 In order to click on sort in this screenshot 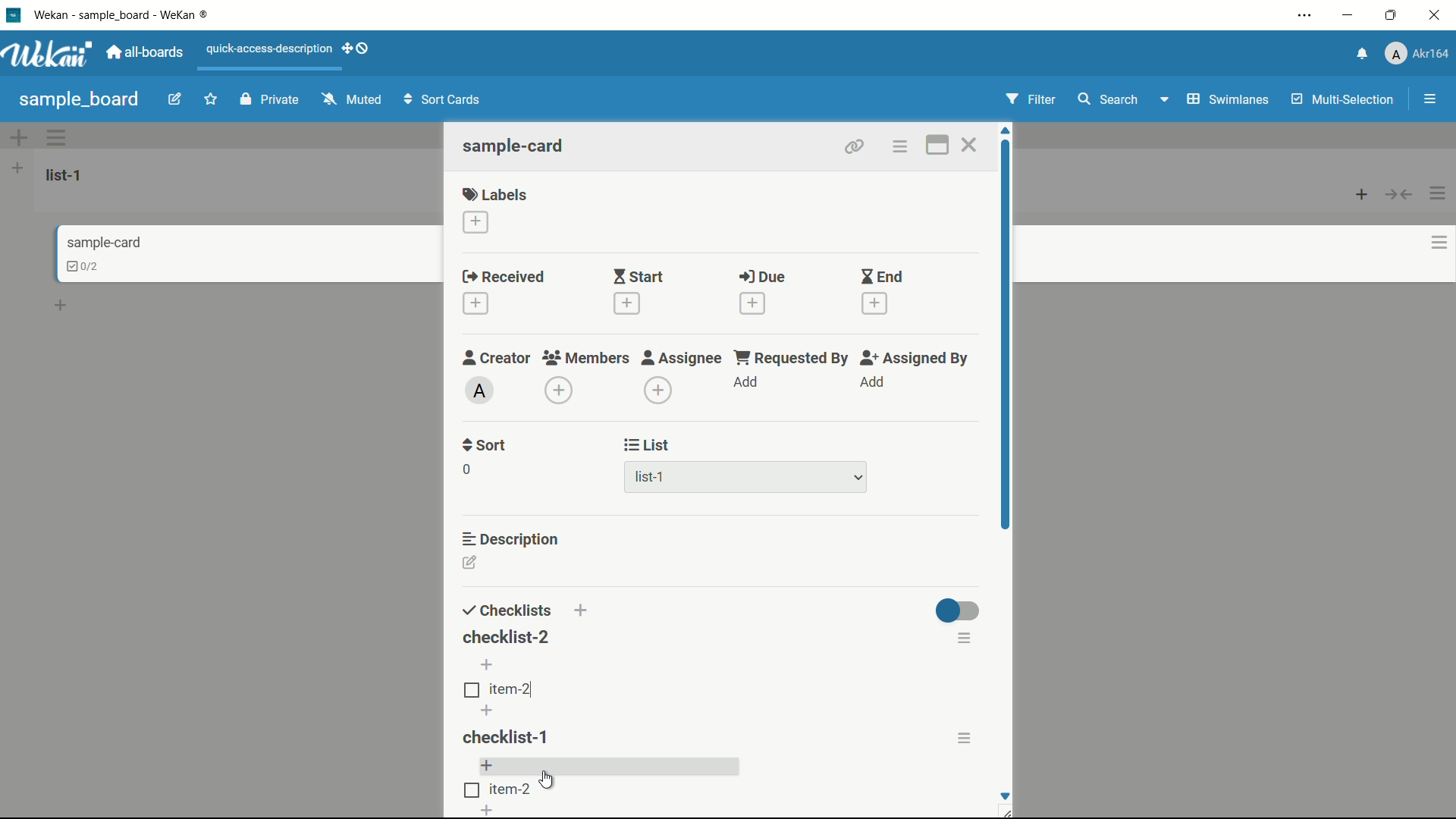, I will do `click(485, 445)`.